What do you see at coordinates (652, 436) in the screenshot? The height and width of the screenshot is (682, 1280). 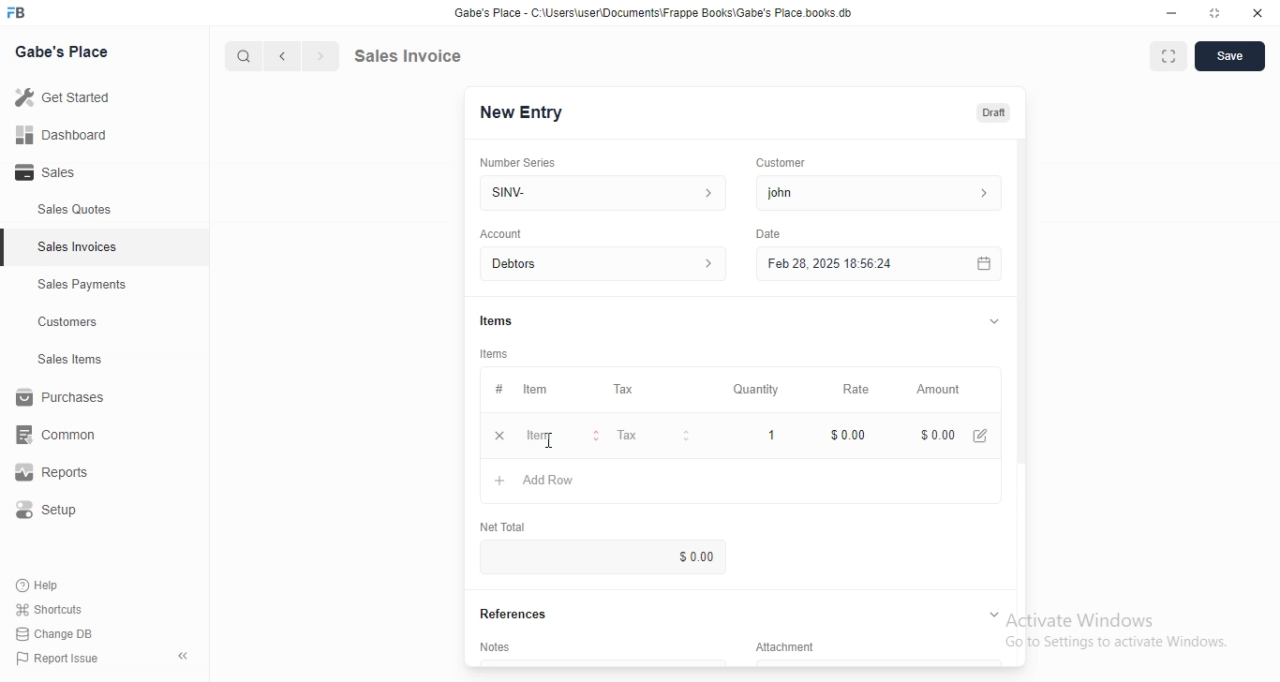 I see `Tax &` at bounding box center [652, 436].